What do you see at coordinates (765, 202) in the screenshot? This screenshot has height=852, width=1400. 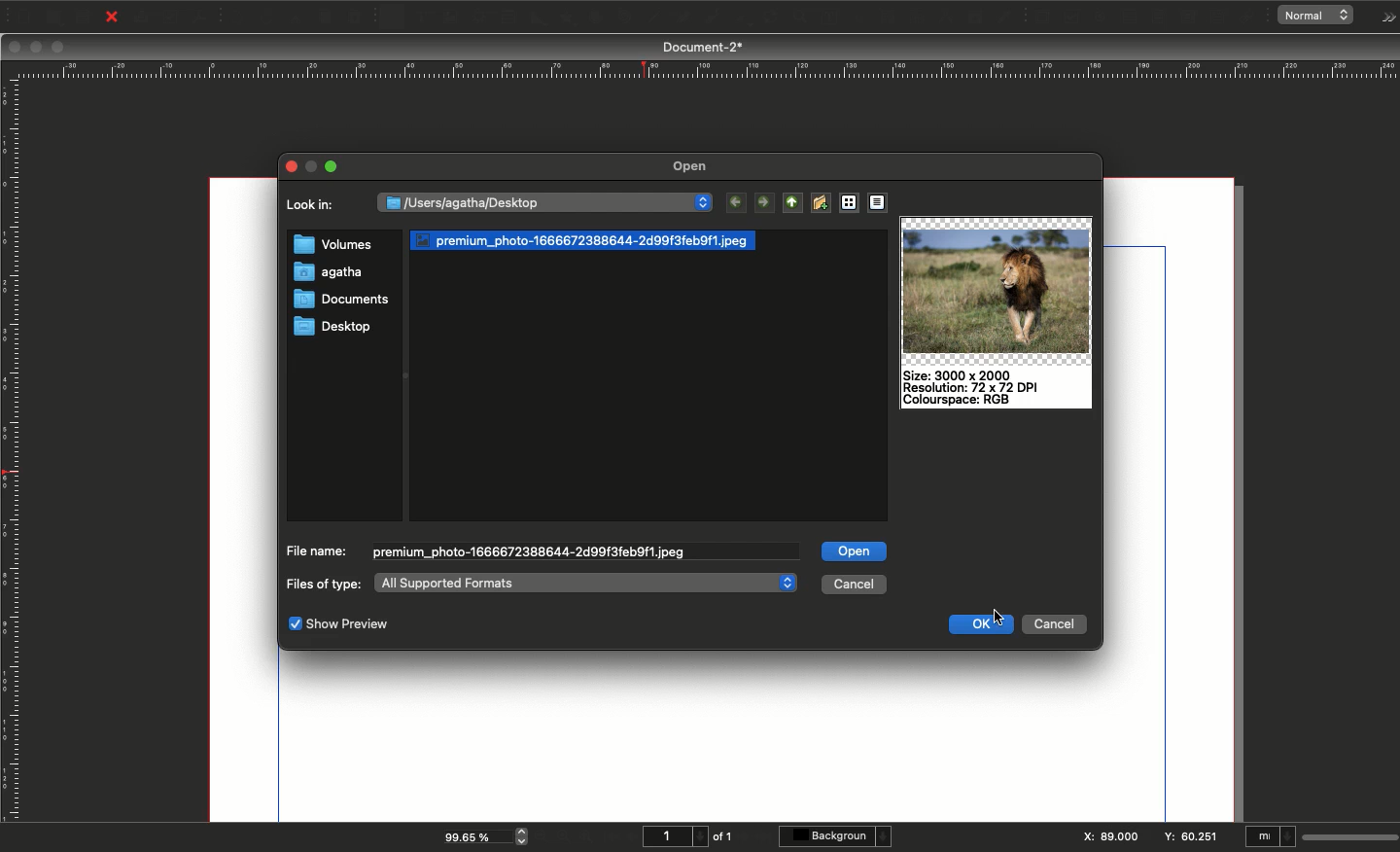 I see `Next` at bounding box center [765, 202].